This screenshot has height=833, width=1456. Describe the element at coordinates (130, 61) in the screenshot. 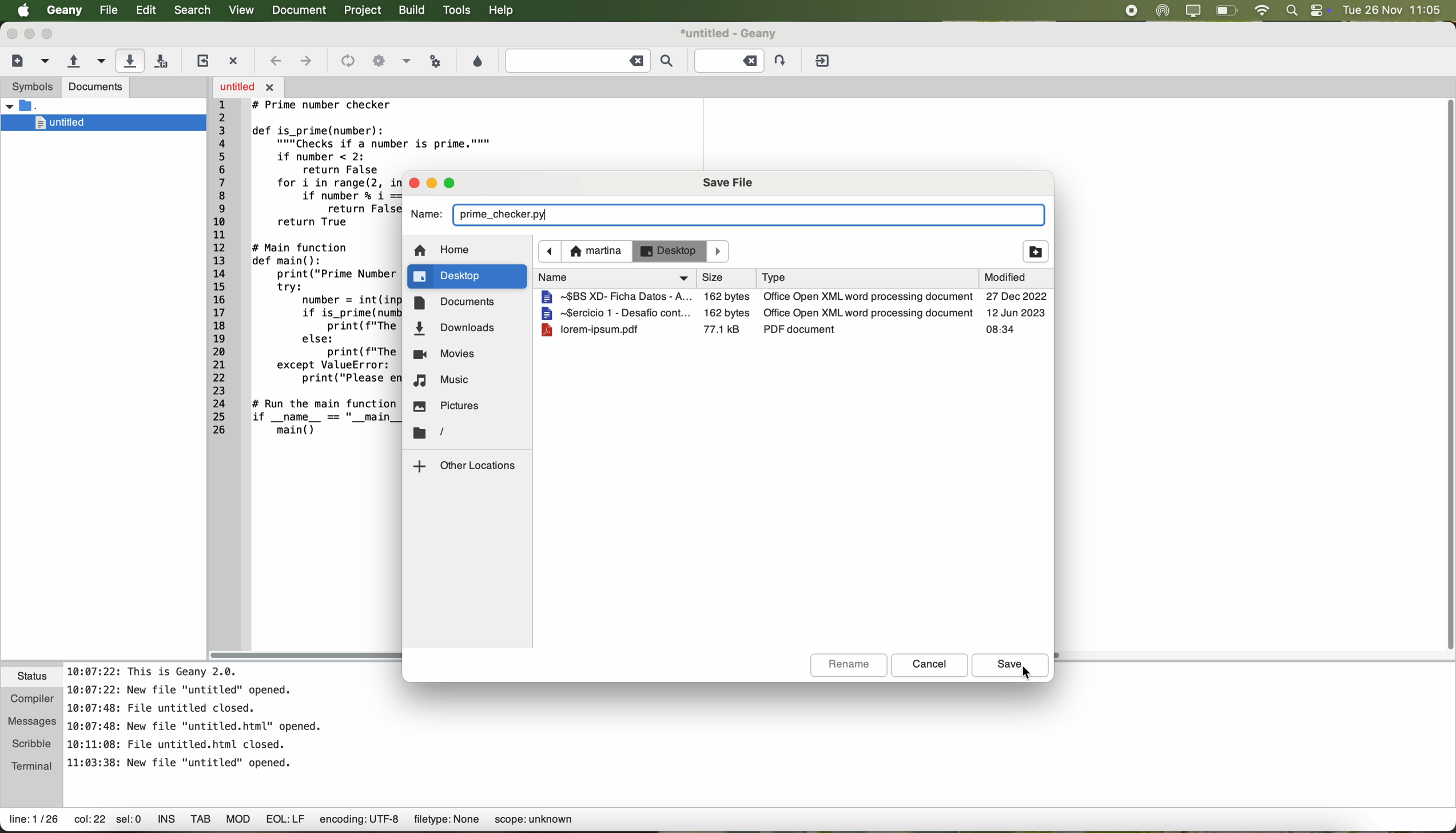

I see `click on save the current file` at that location.